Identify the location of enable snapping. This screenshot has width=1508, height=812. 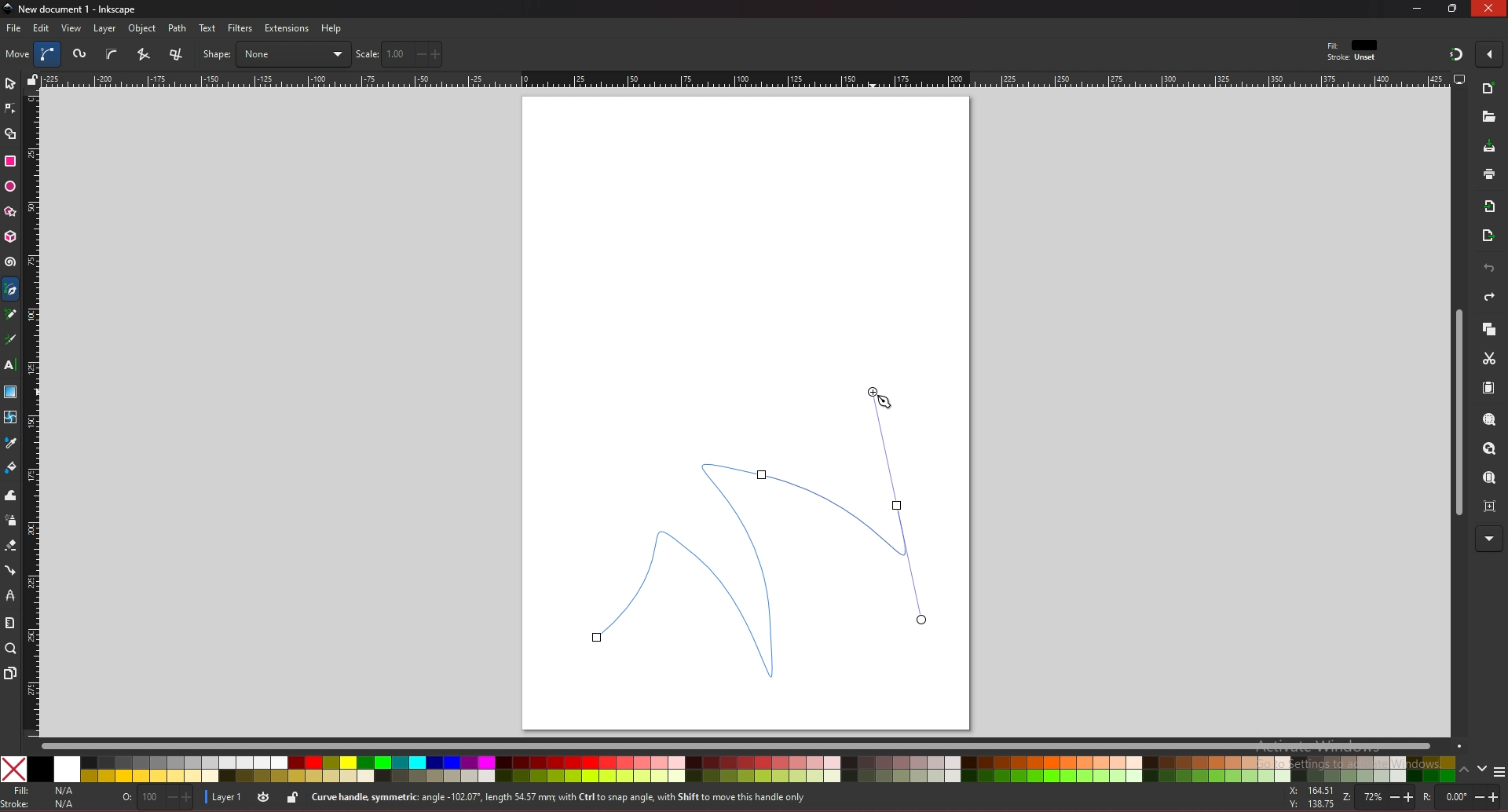
(1489, 53).